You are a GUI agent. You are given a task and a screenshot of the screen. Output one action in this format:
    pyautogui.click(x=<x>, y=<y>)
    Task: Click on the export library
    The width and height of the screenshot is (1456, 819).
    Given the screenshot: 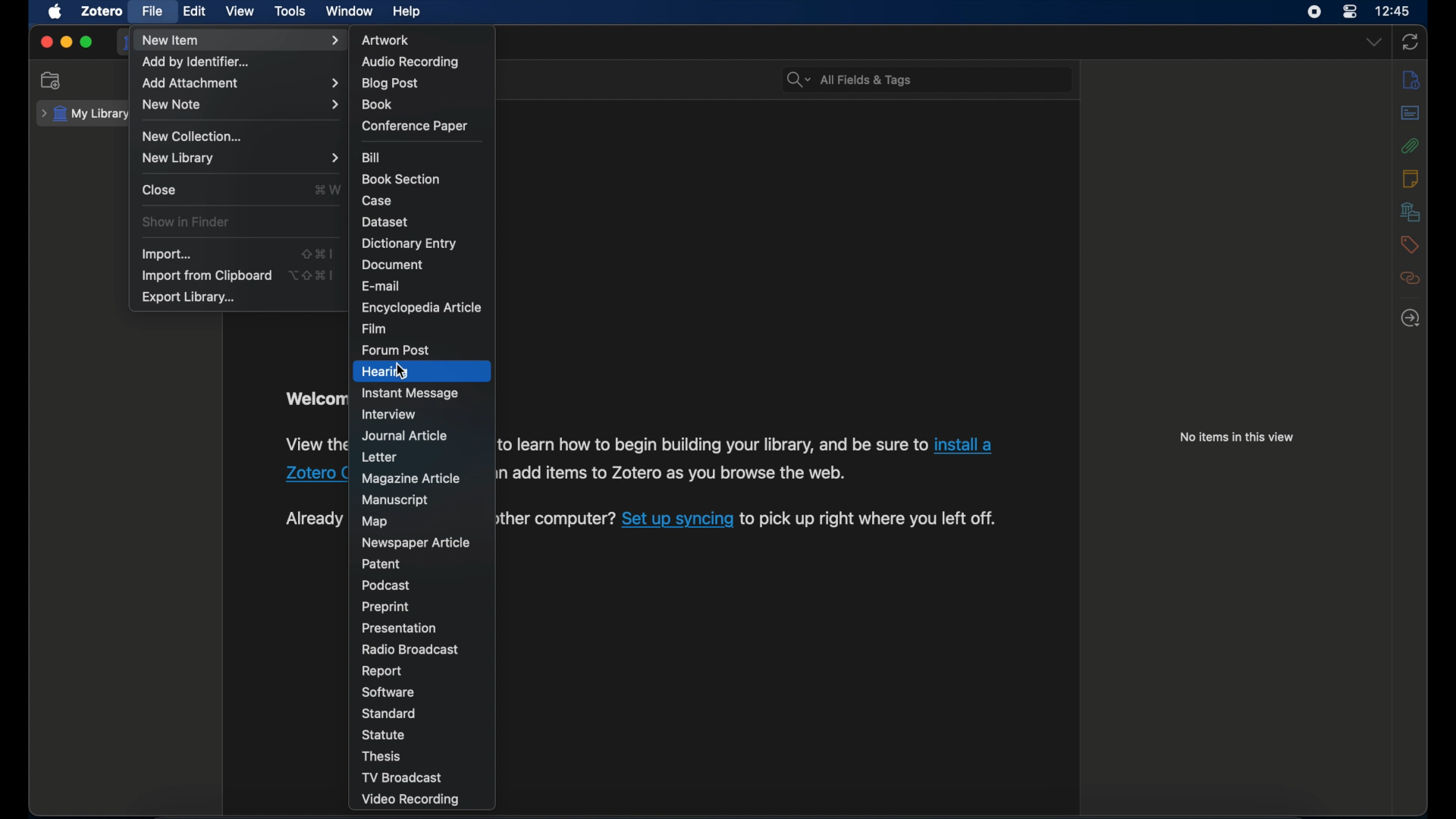 What is the action you would take?
    pyautogui.click(x=190, y=299)
    